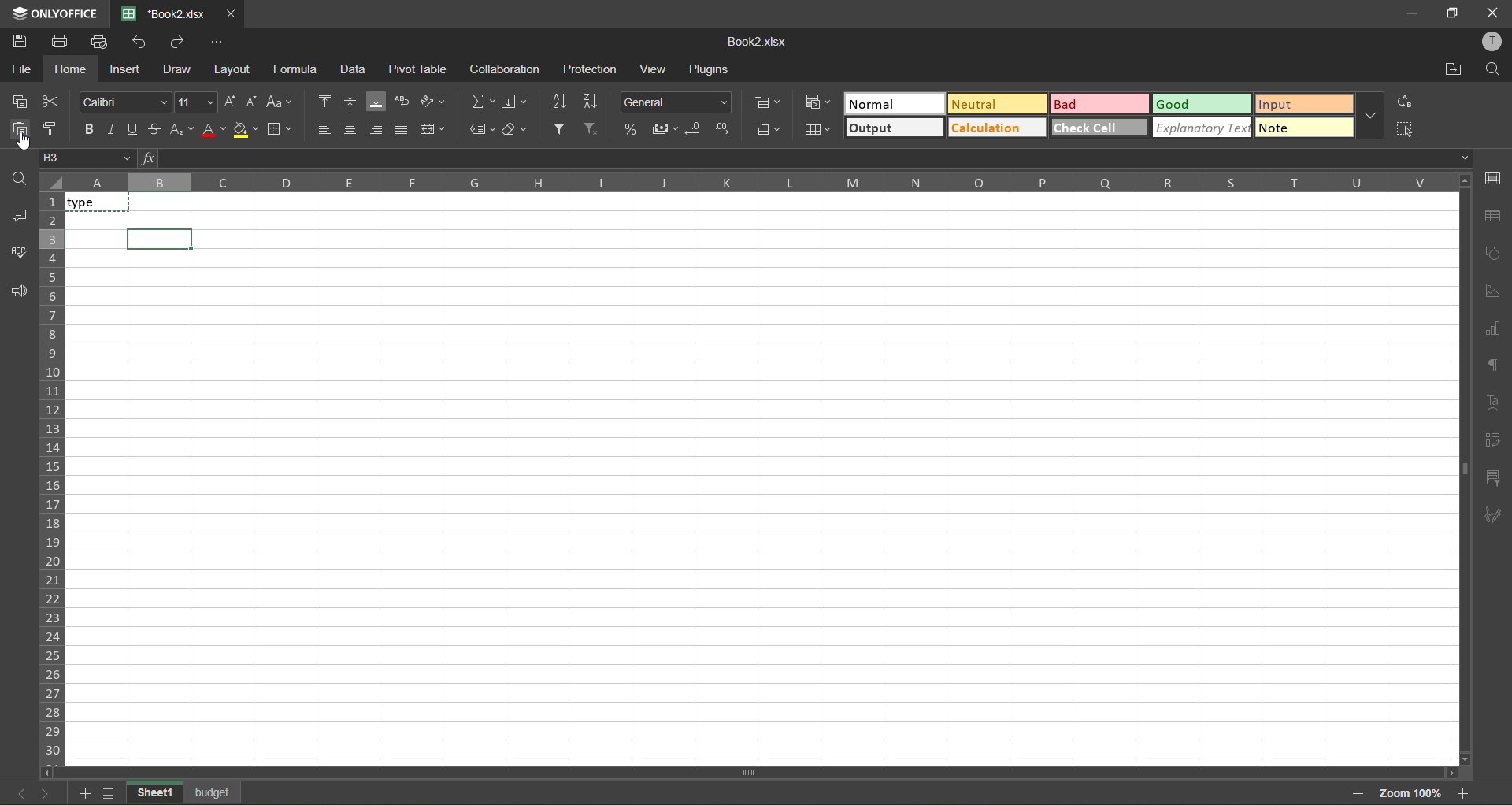 The height and width of the screenshot is (805, 1512). I want to click on check cell, so click(1099, 128).